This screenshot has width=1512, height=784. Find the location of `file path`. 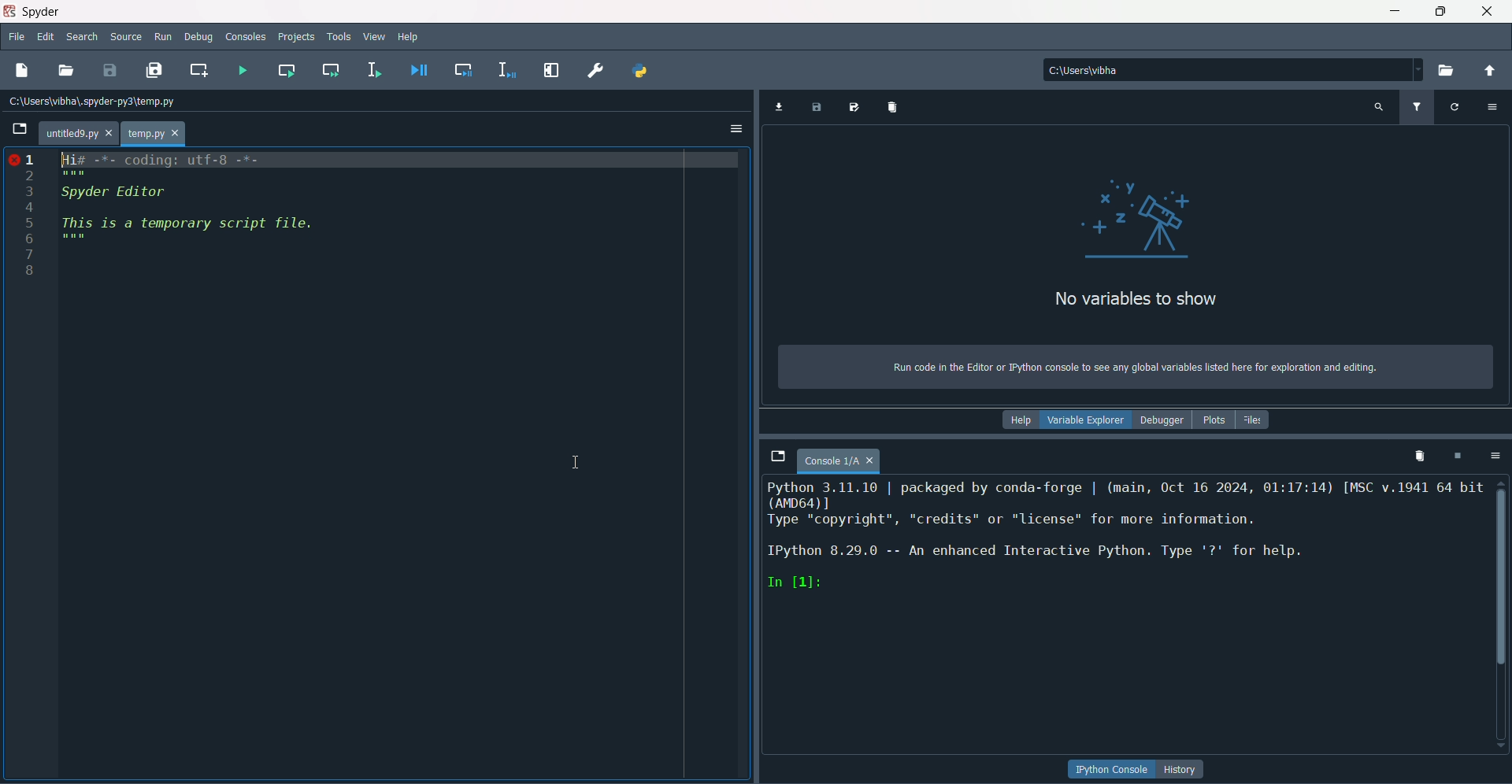

file path is located at coordinates (95, 102).